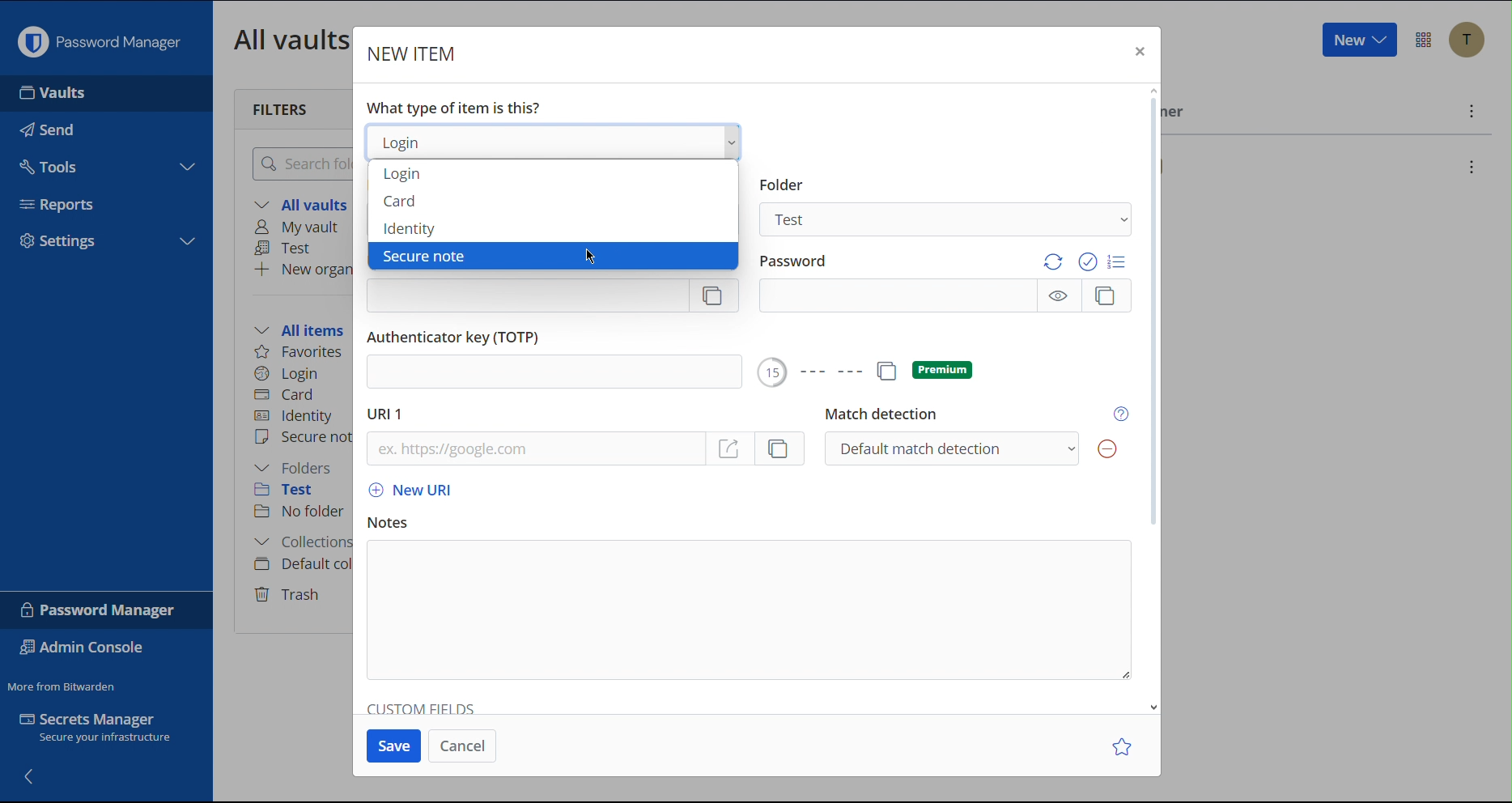  What do you see at coordinates (945, 296) in the screenshot?
I see `Password` at bounding box center [945, 296].